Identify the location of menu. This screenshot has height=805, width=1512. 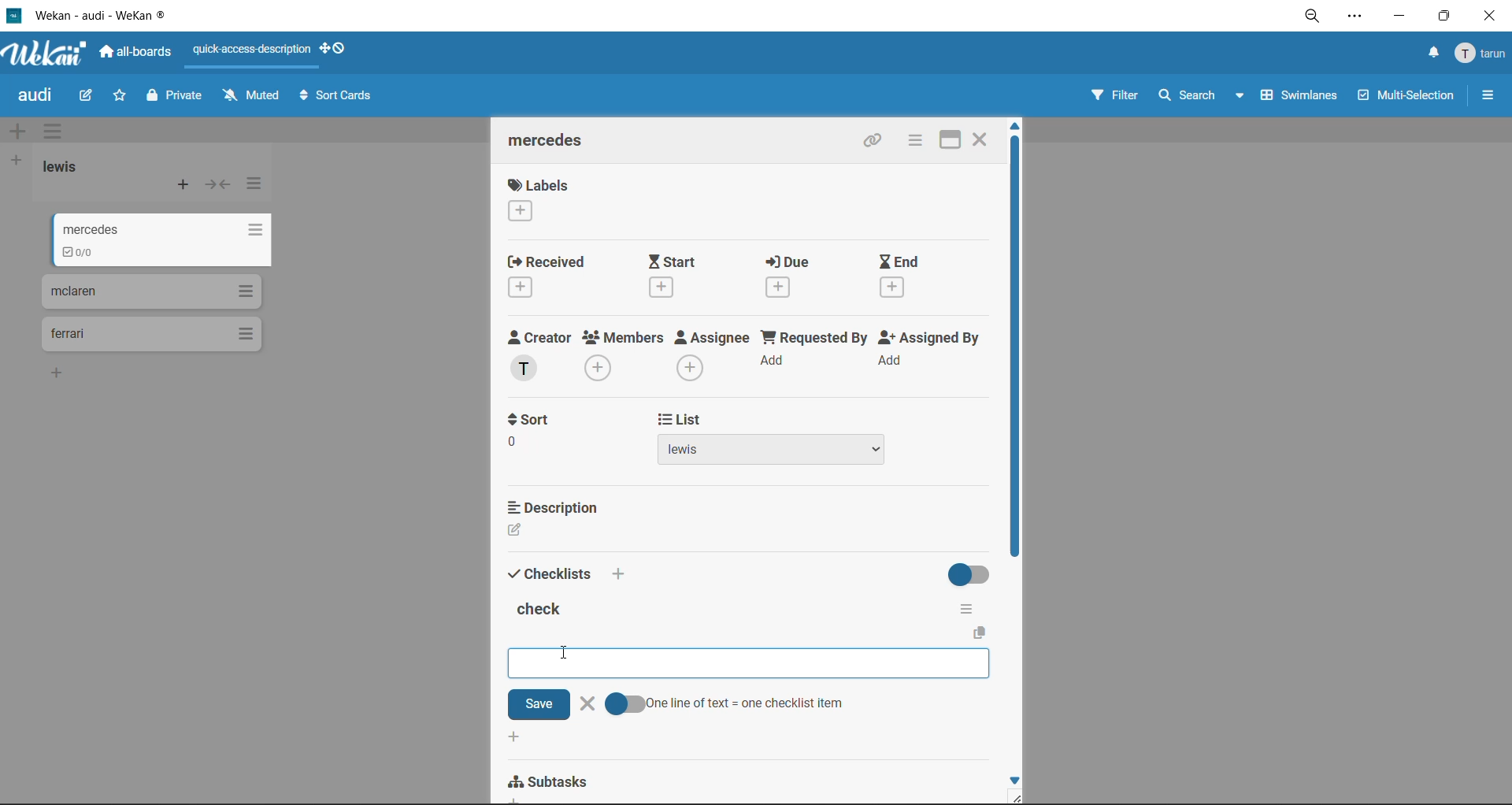
(1482, 54).